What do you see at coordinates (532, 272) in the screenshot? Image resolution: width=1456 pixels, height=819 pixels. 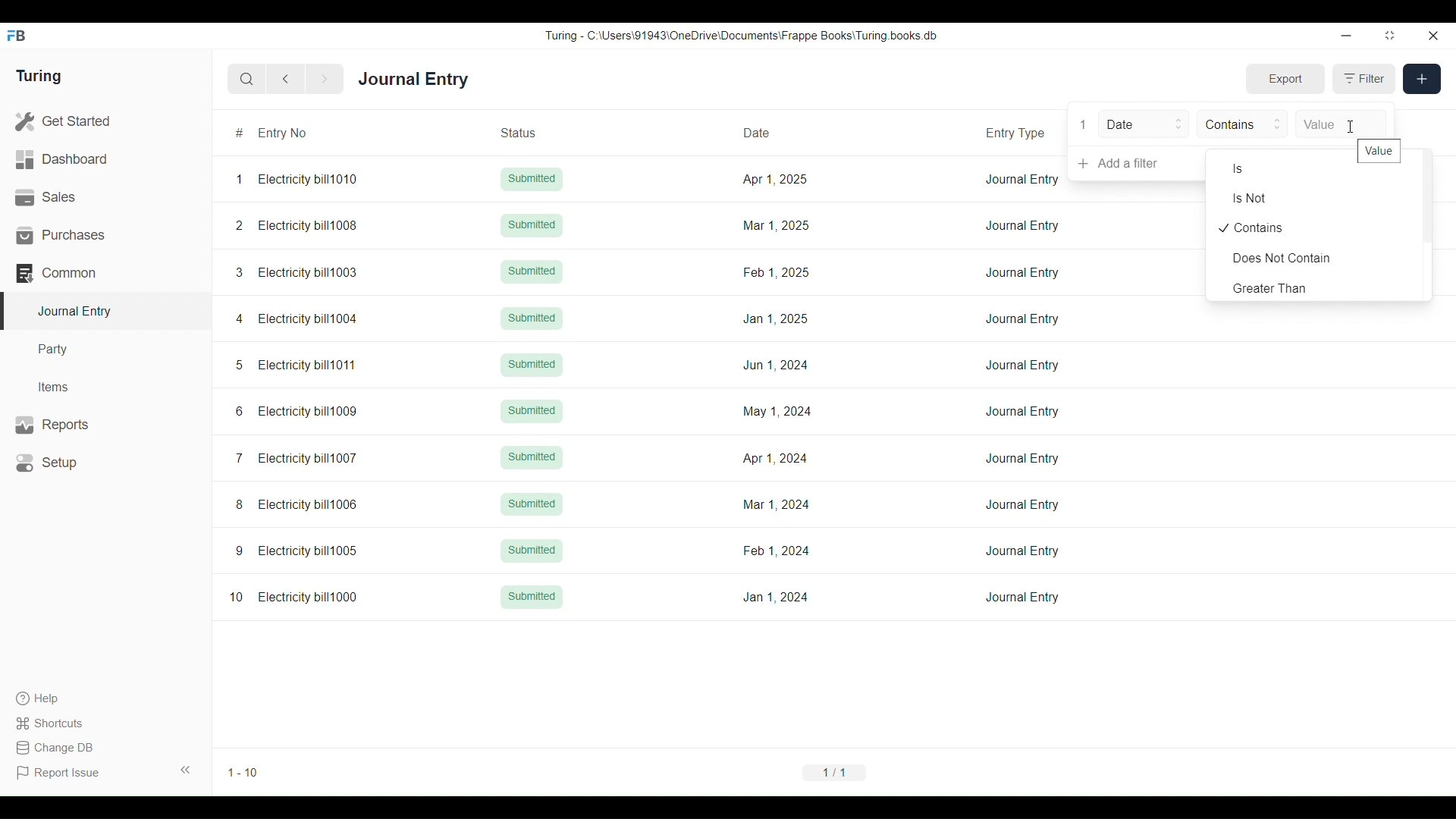 I see `Submitted` at bounding box center [532, 272].